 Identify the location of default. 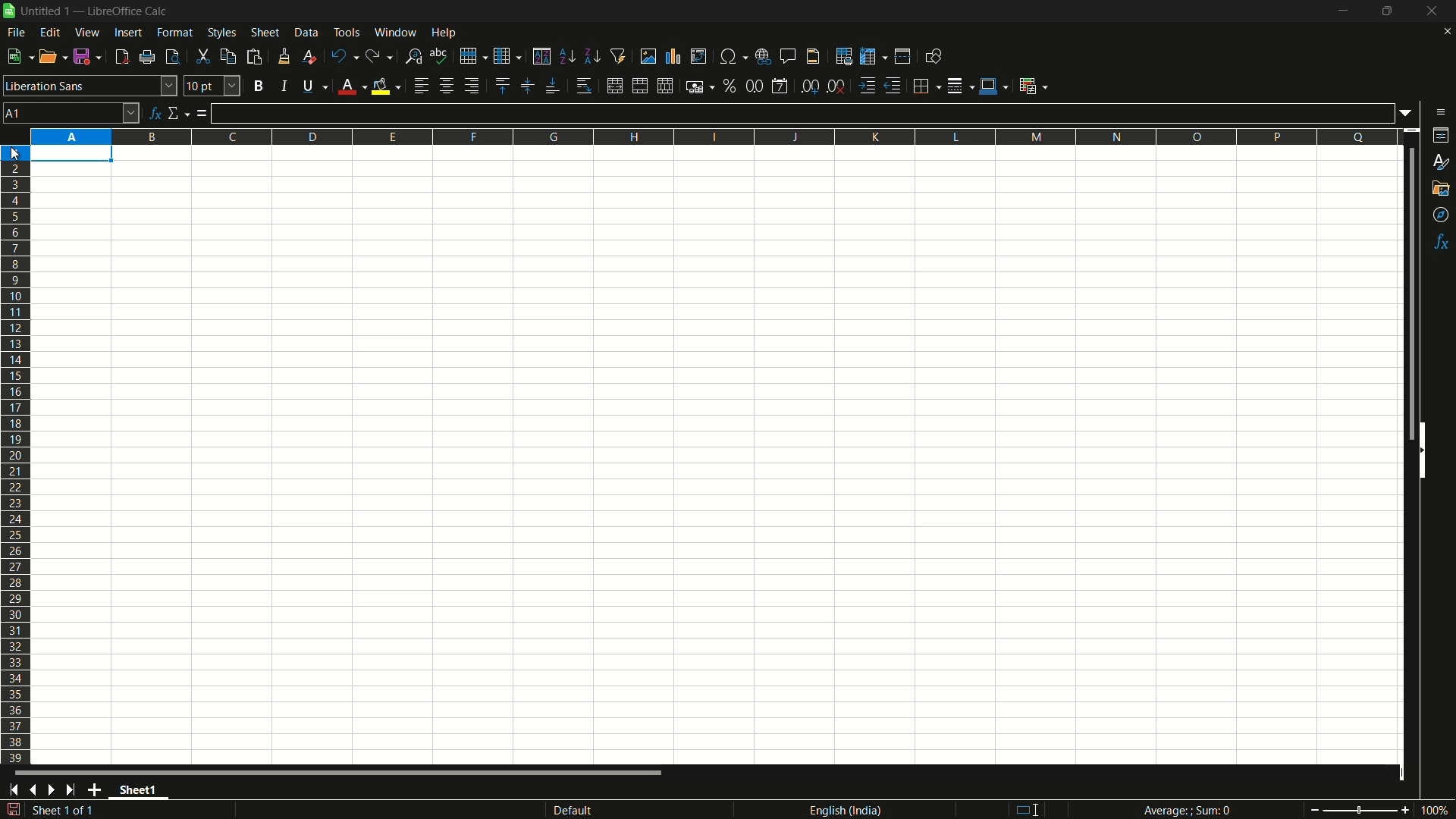
(598, 810).